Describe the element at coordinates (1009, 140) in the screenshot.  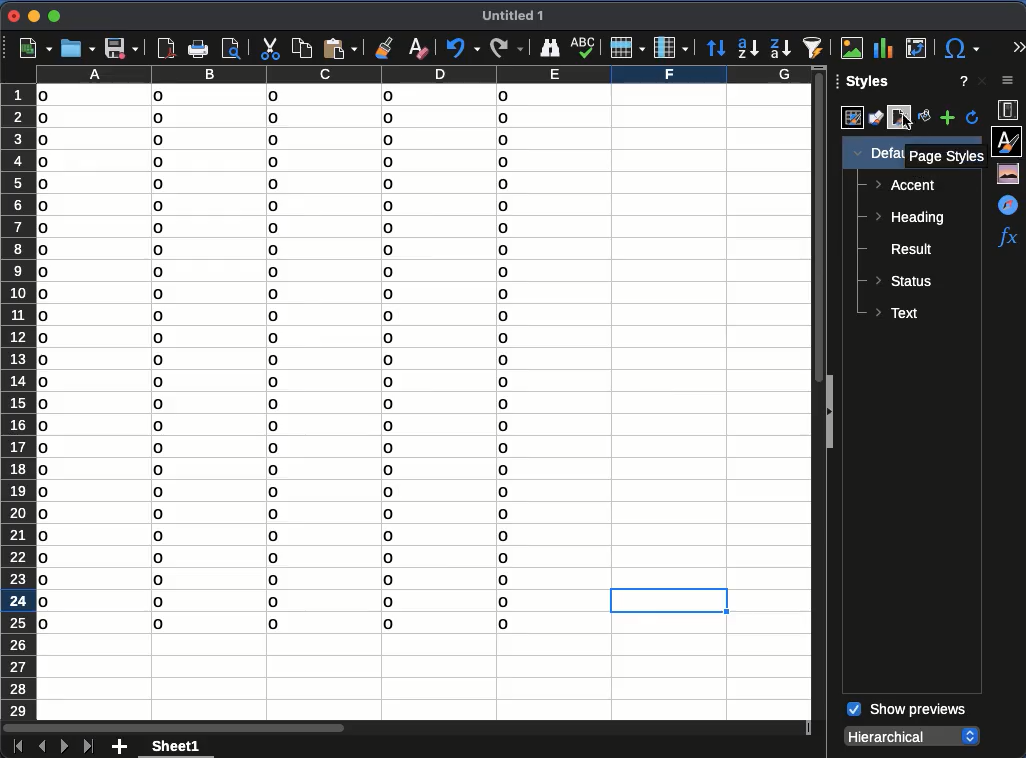
I see `styles` at that location.